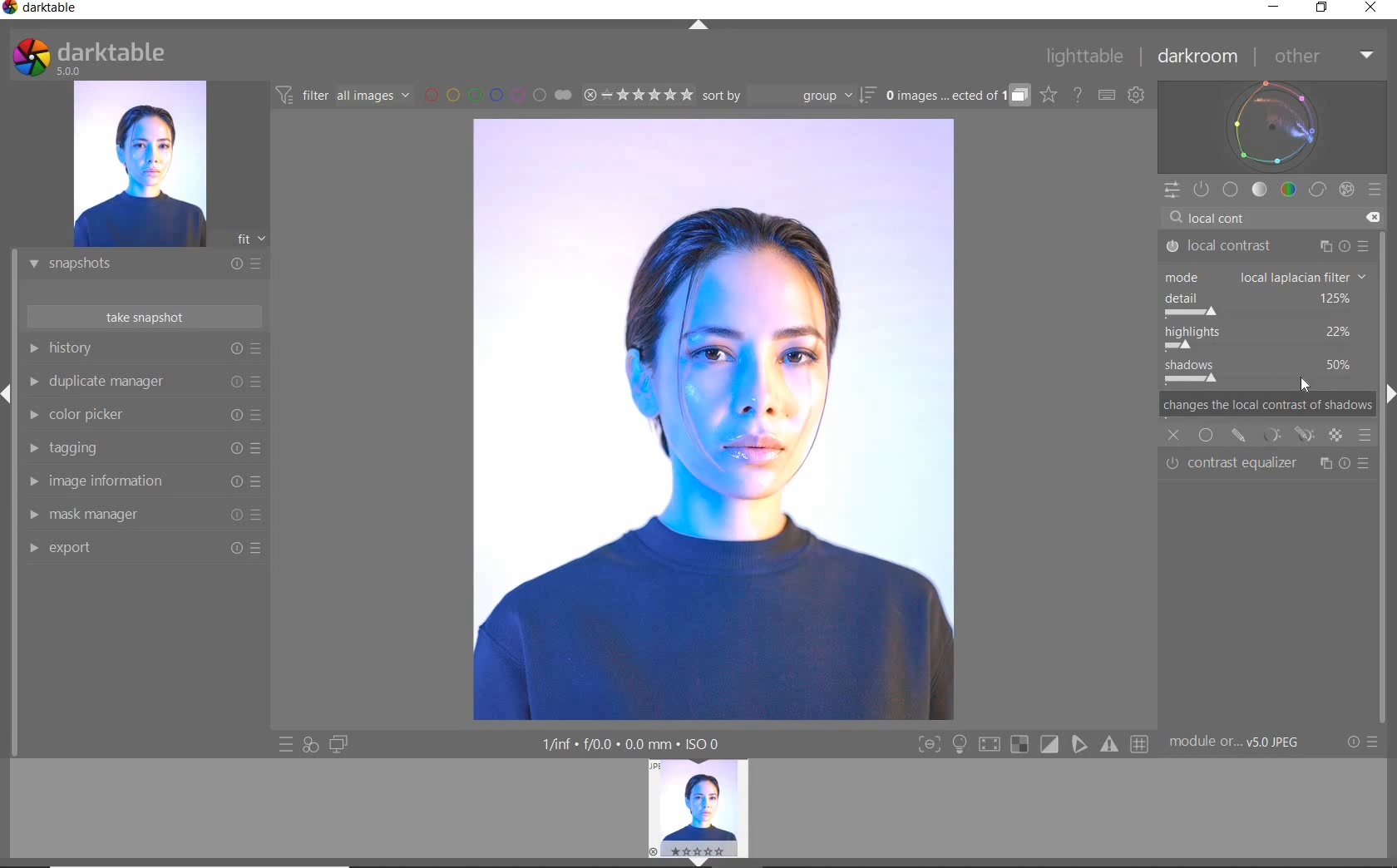  Describe the element at coordinates (1049, 95) in the screenshot. I see `CLICK TO CHANGE THE OVERLAYS SHOWN ON THUMBNAILS` at that location.